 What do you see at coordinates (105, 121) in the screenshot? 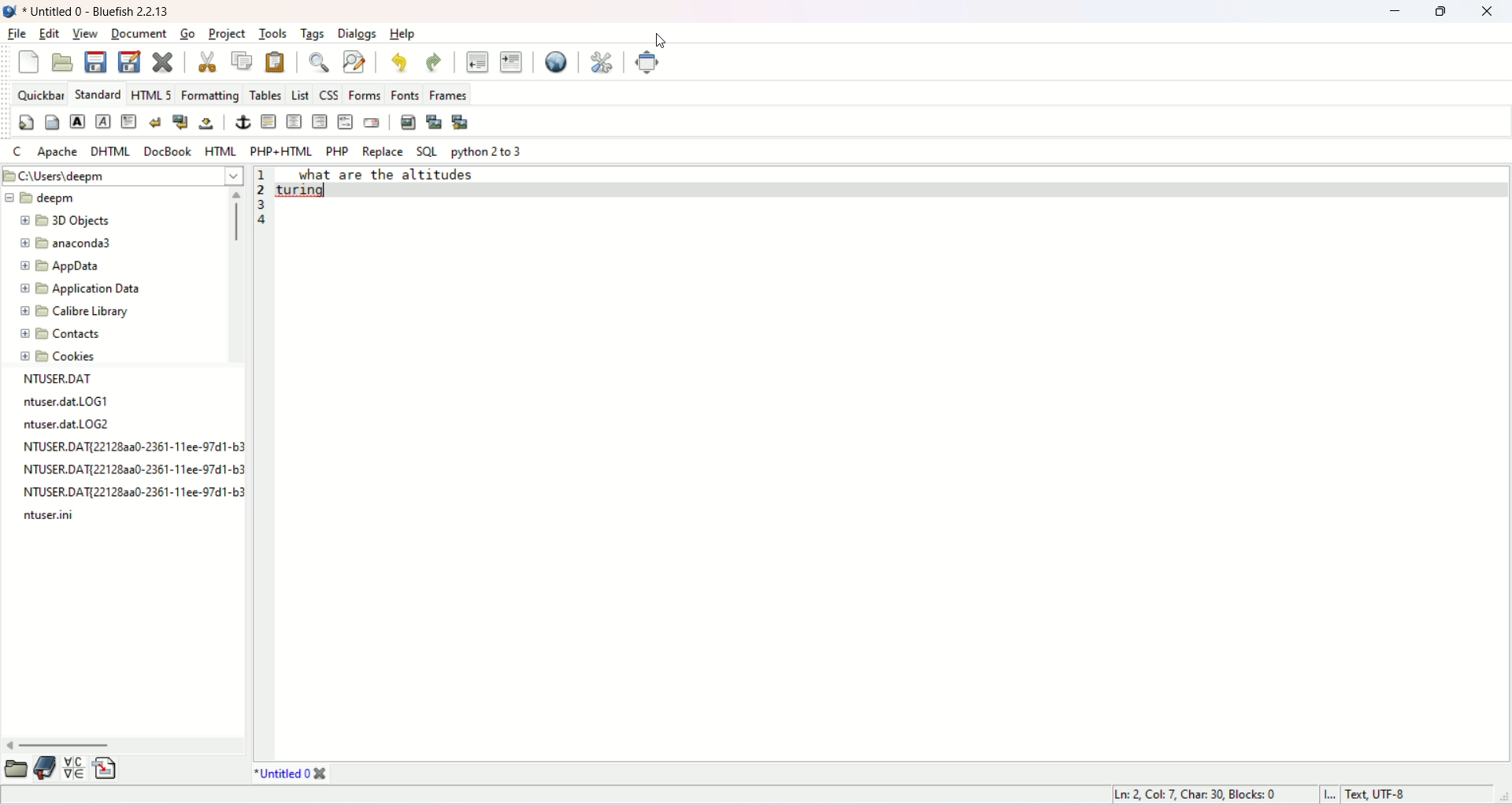
I see `emphasize` at bounding box center [105, 121].